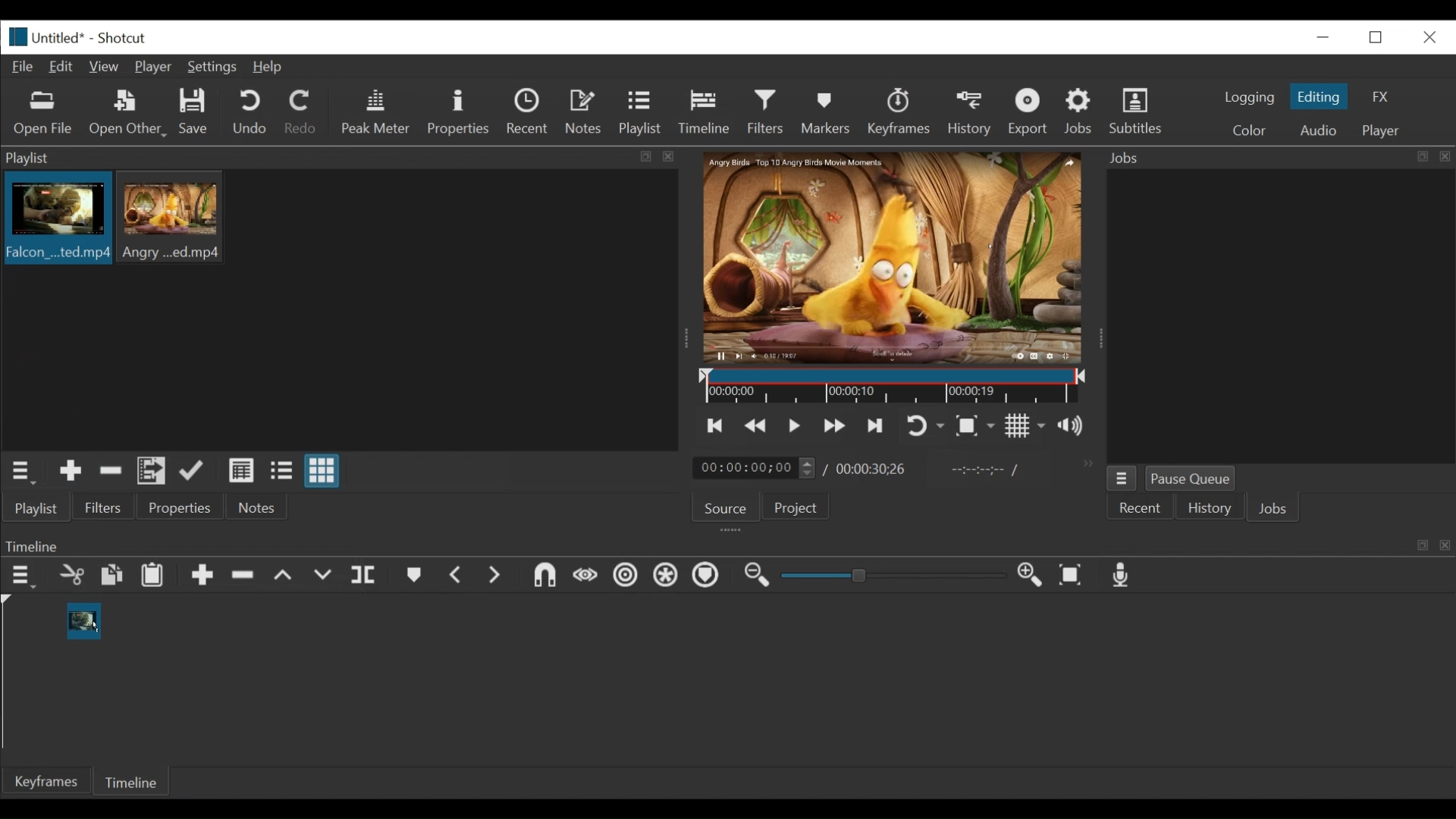 The width and height of the screenshot is (1456, 819). What do you see at coordinates (626, 577) in the screenshot?
I see `Ripple ` at bounding box center [626, 577].